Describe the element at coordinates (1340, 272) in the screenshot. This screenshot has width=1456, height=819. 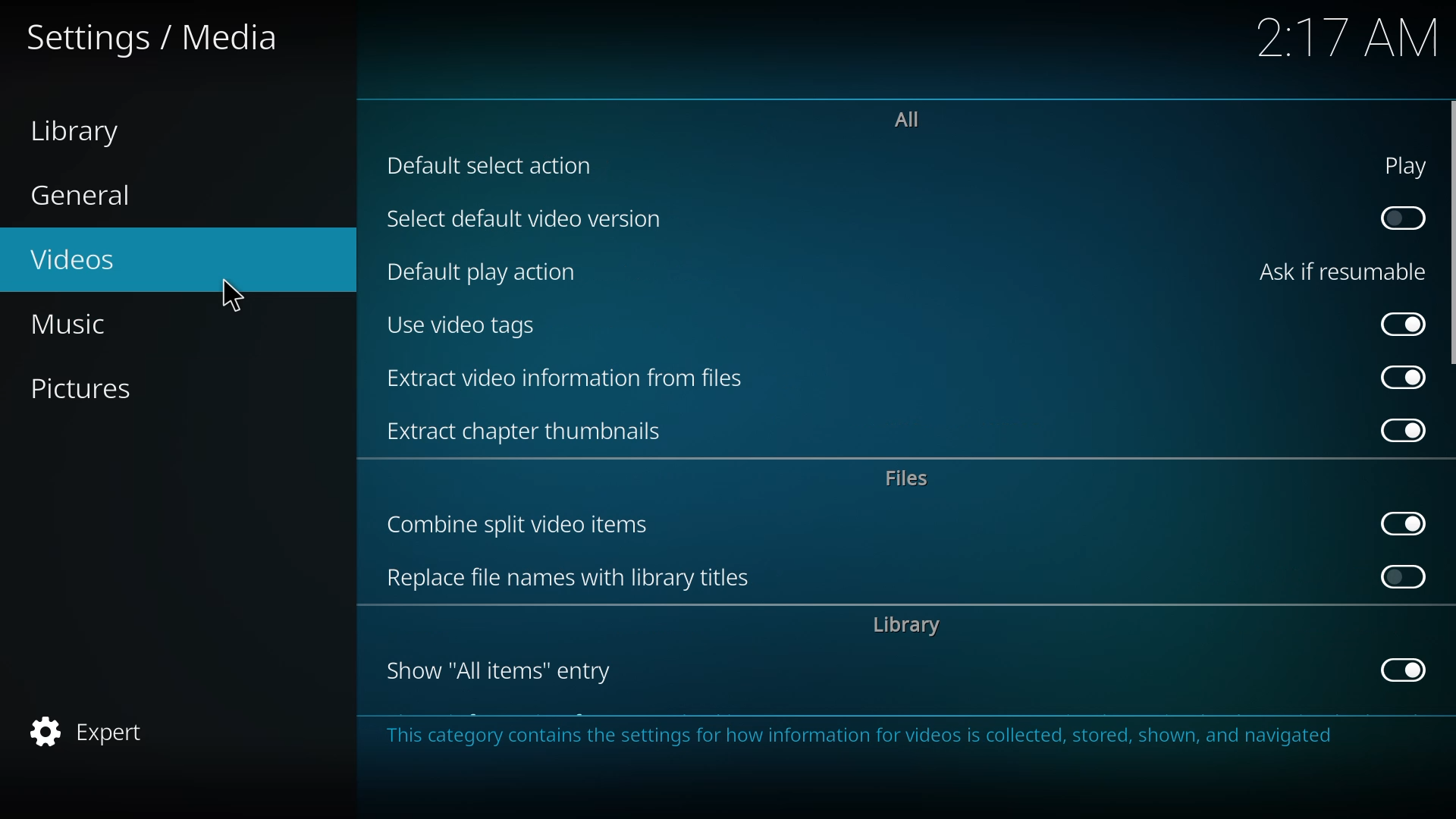
I see `ask` at that location.